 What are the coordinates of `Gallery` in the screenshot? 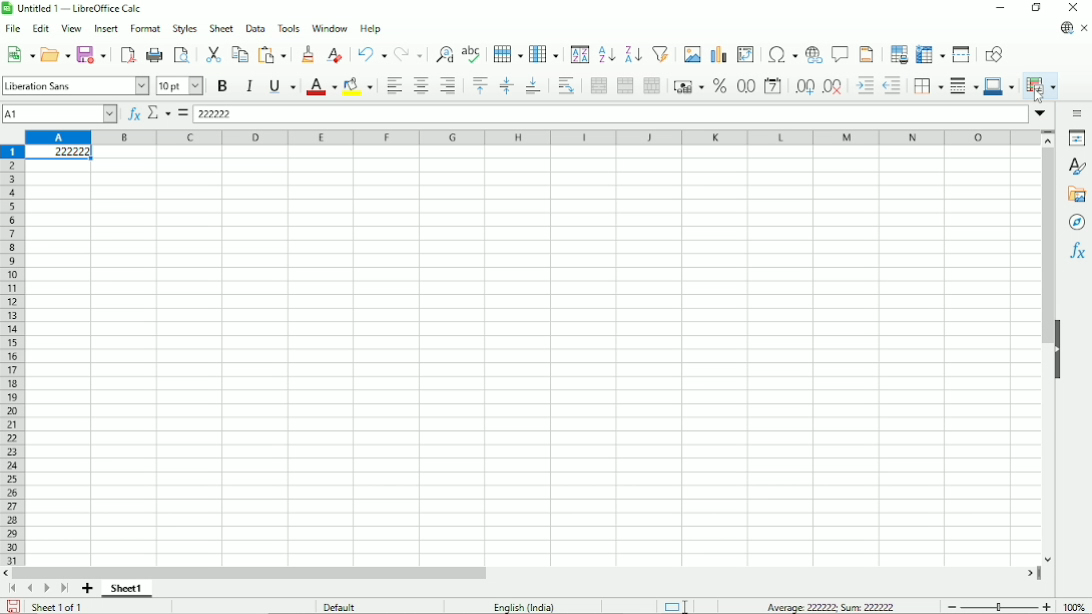 It's located at (1077, 194).